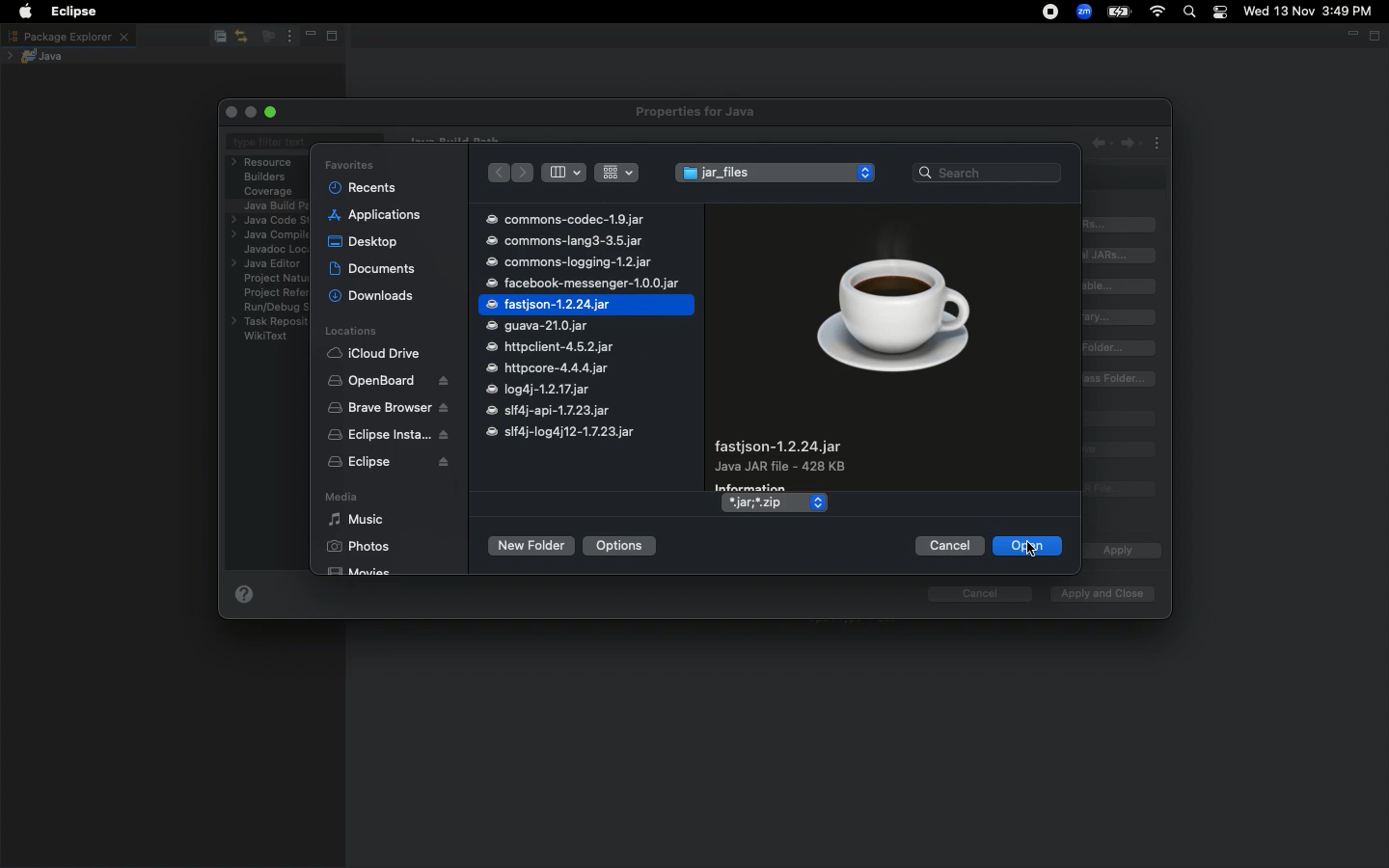 The width and height of the screenshot is (1389, 868). I want to click on Project natures, so click(270, 281).